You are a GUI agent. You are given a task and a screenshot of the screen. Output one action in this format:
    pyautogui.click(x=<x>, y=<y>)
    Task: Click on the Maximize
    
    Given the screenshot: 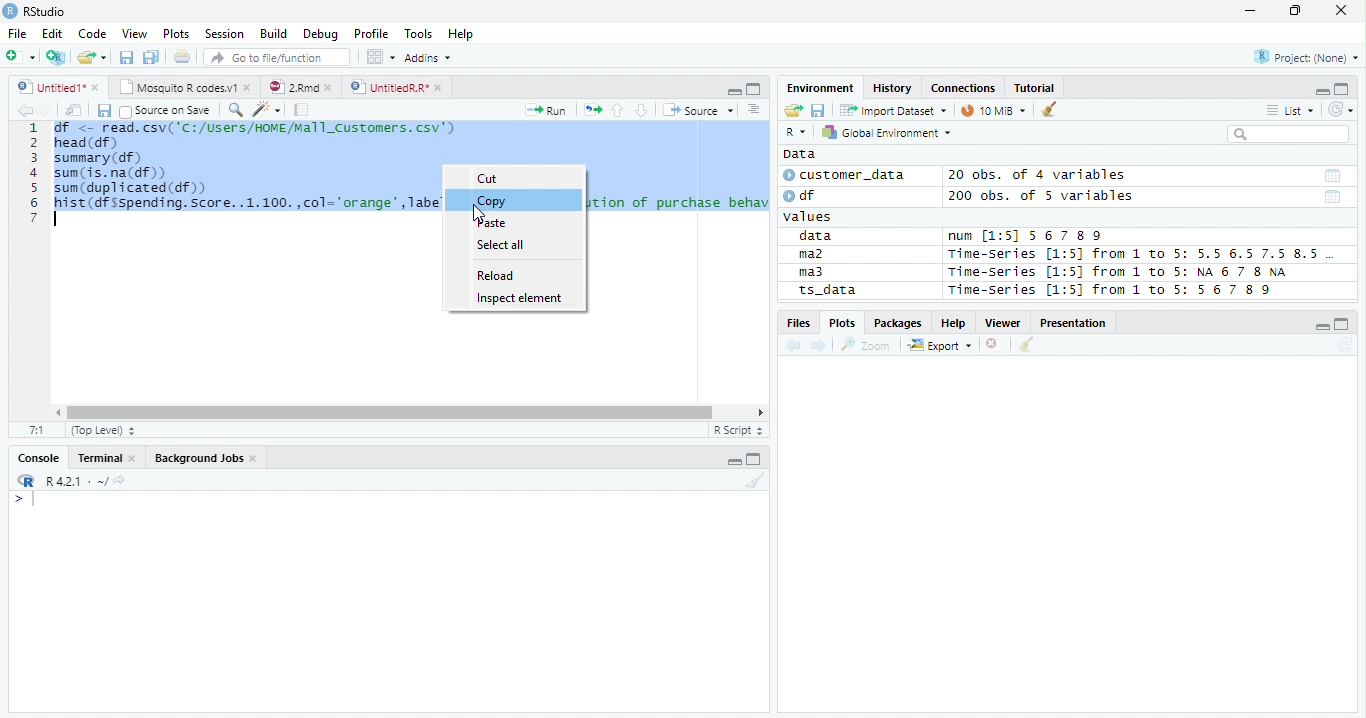 What is the action you would take?
    pyautogui.click(x=1343, y=89)
    